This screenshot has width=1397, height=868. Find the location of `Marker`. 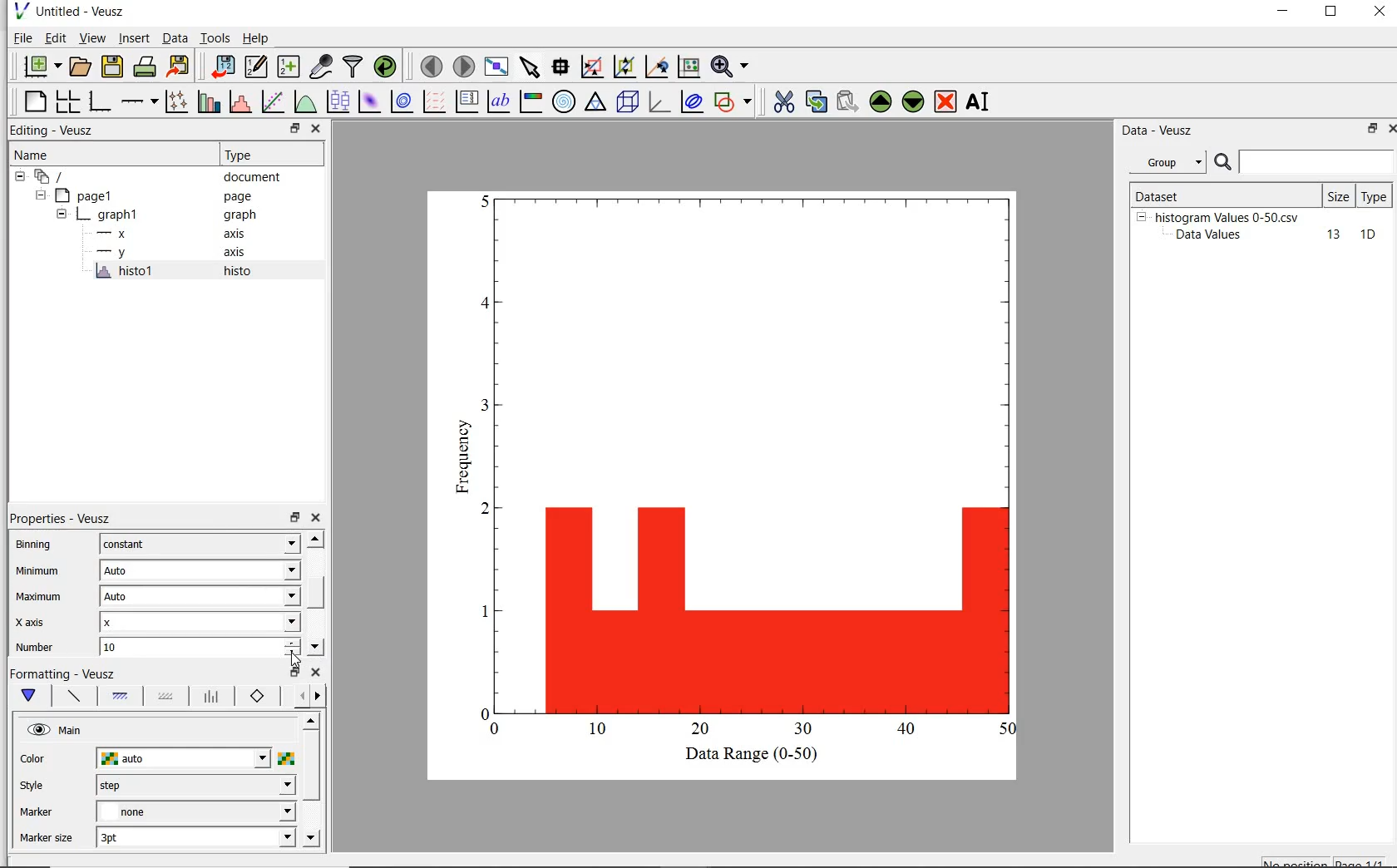

Marker is located at coordinates (37, 814).